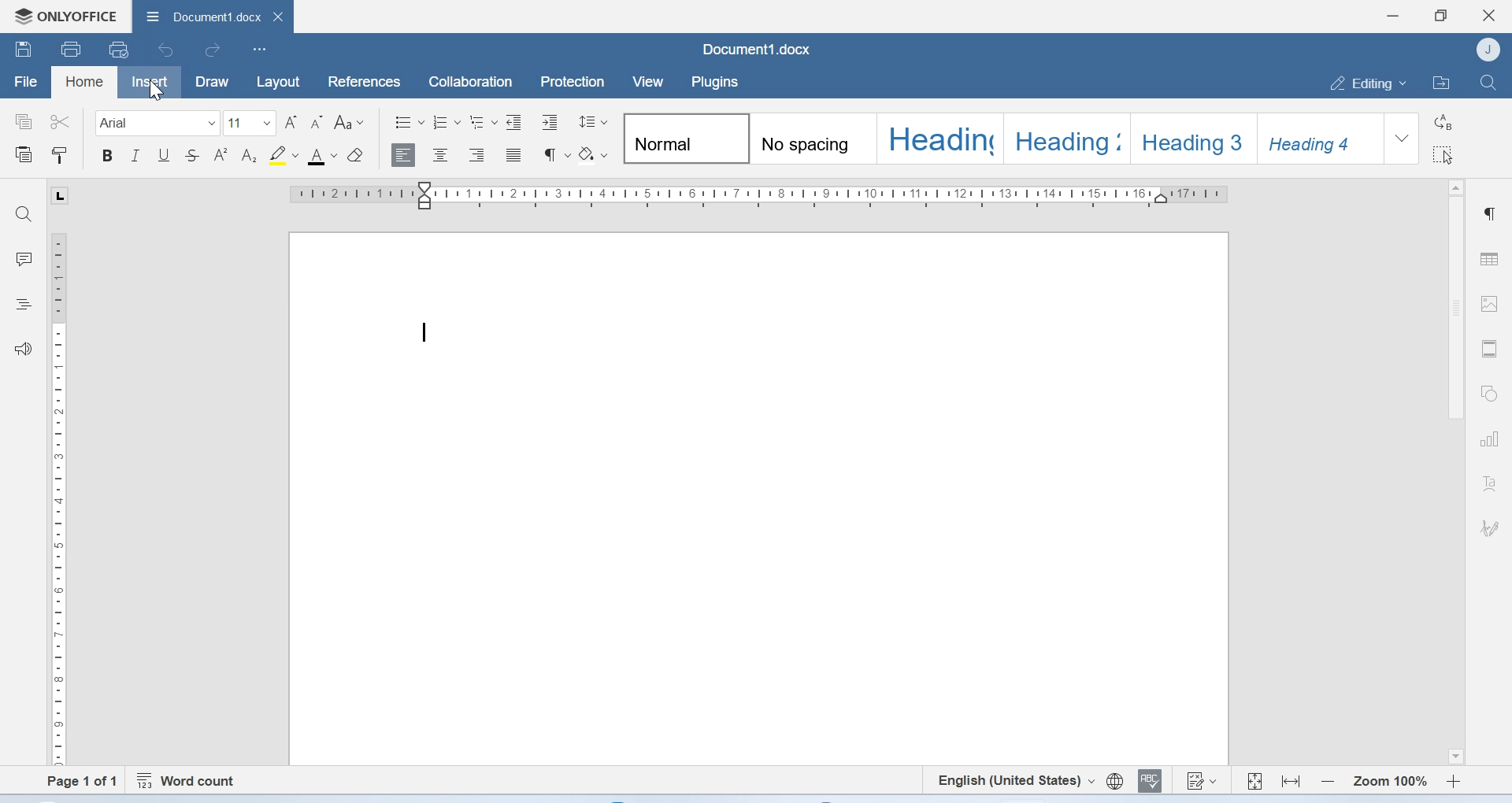 This screenshot has width=1512, height=803. What do you see at coordinates (1290, 779) in the screenshot?
I see `Fit to width` at bounding box center [1290, 779].